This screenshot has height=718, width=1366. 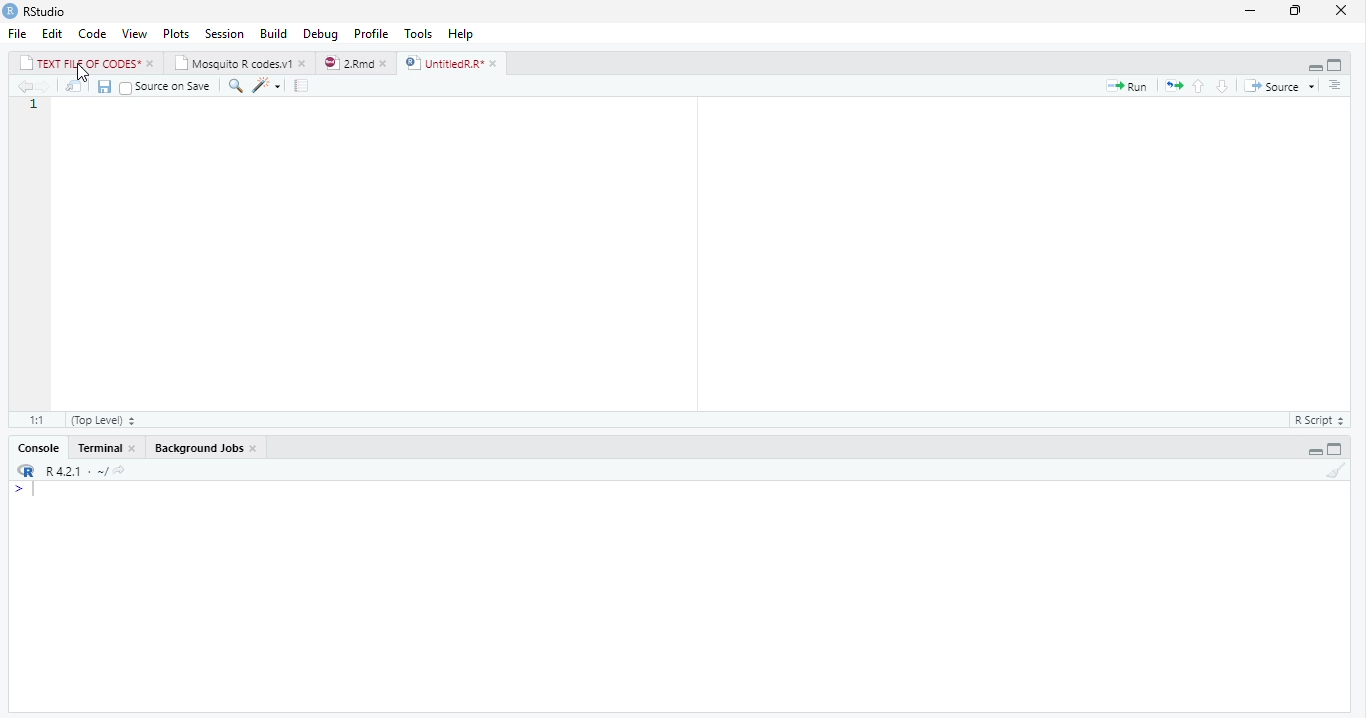 I want to click on Background Jobs, so click(x=199, y=448).